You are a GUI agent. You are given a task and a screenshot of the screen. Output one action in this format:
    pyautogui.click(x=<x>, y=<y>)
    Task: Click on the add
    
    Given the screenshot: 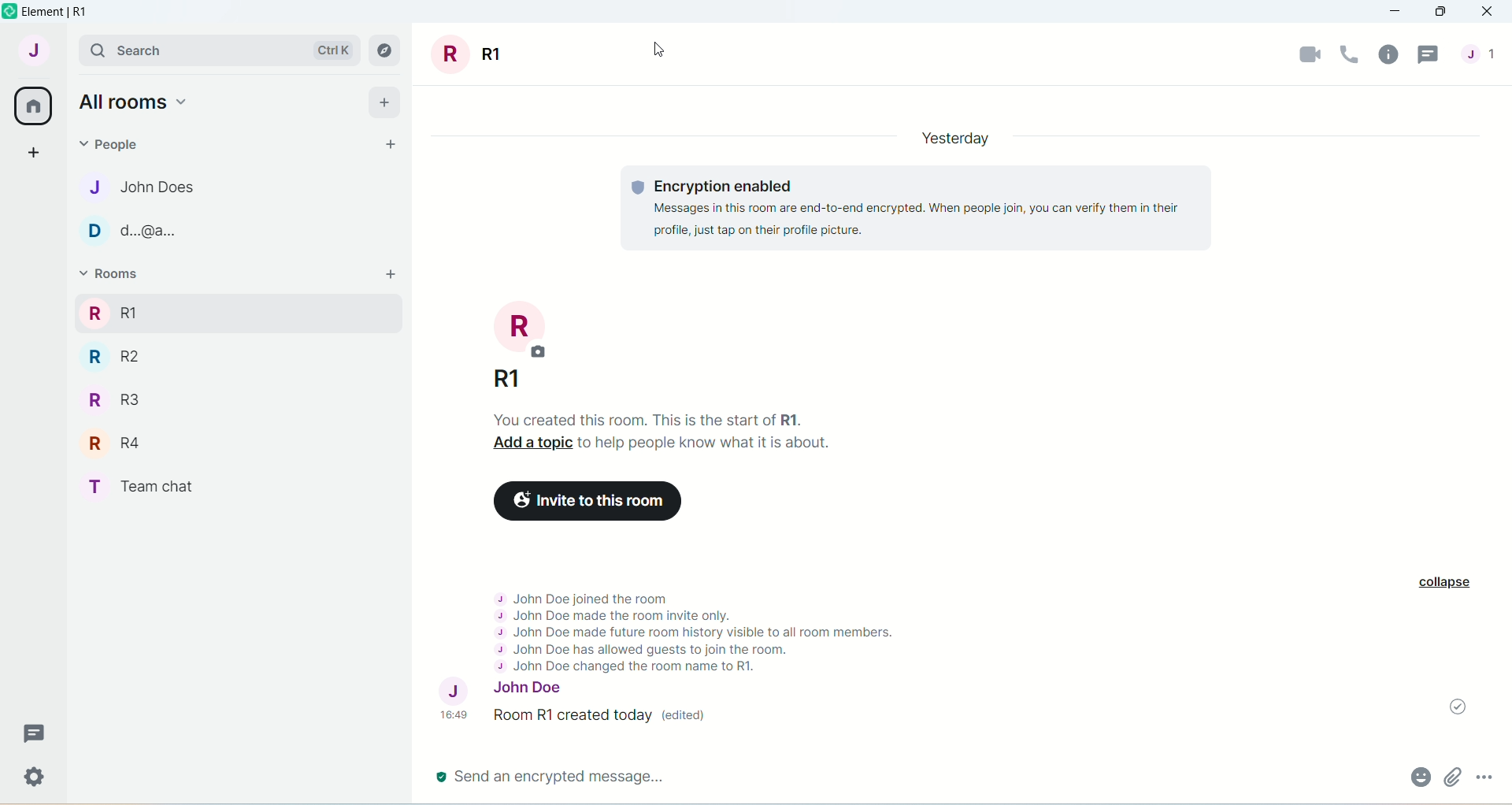 What is the action you would take?
    pyautogui.click(x=391, y=276)
    